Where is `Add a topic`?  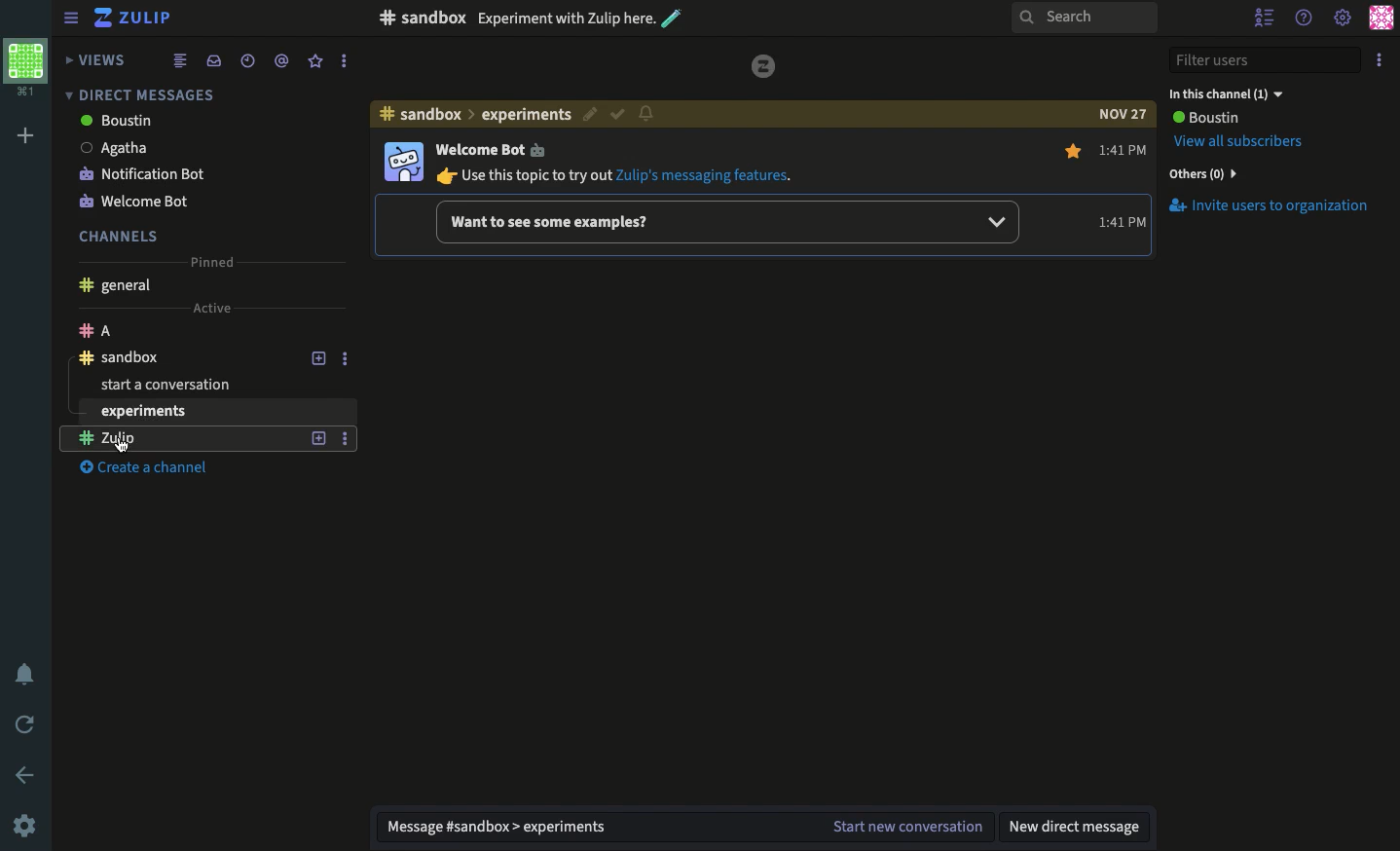
Add a topic is located at coordinates (321, 357).